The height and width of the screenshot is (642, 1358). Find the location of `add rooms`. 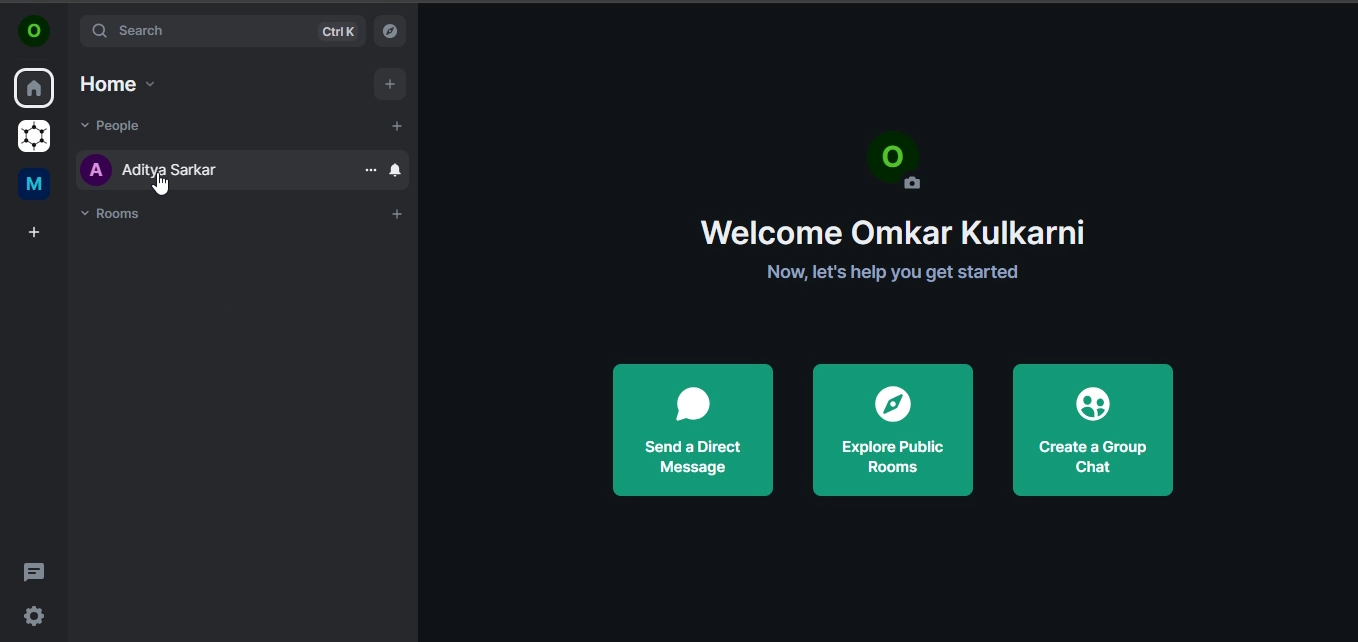

add rooms is located at coordinates (396, 214).